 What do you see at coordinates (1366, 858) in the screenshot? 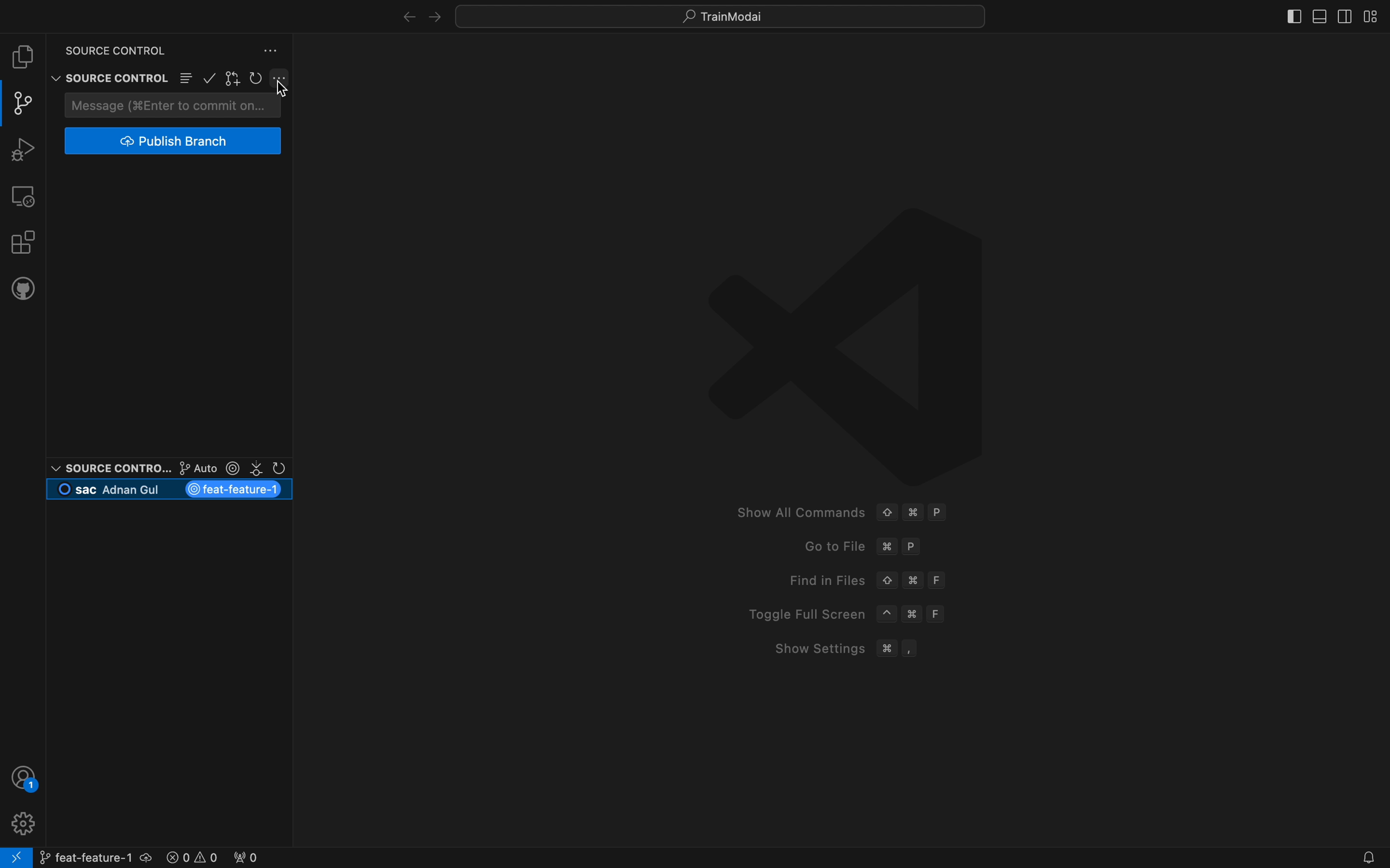
I see `Notifications ` at bounding box center [1366, 858].